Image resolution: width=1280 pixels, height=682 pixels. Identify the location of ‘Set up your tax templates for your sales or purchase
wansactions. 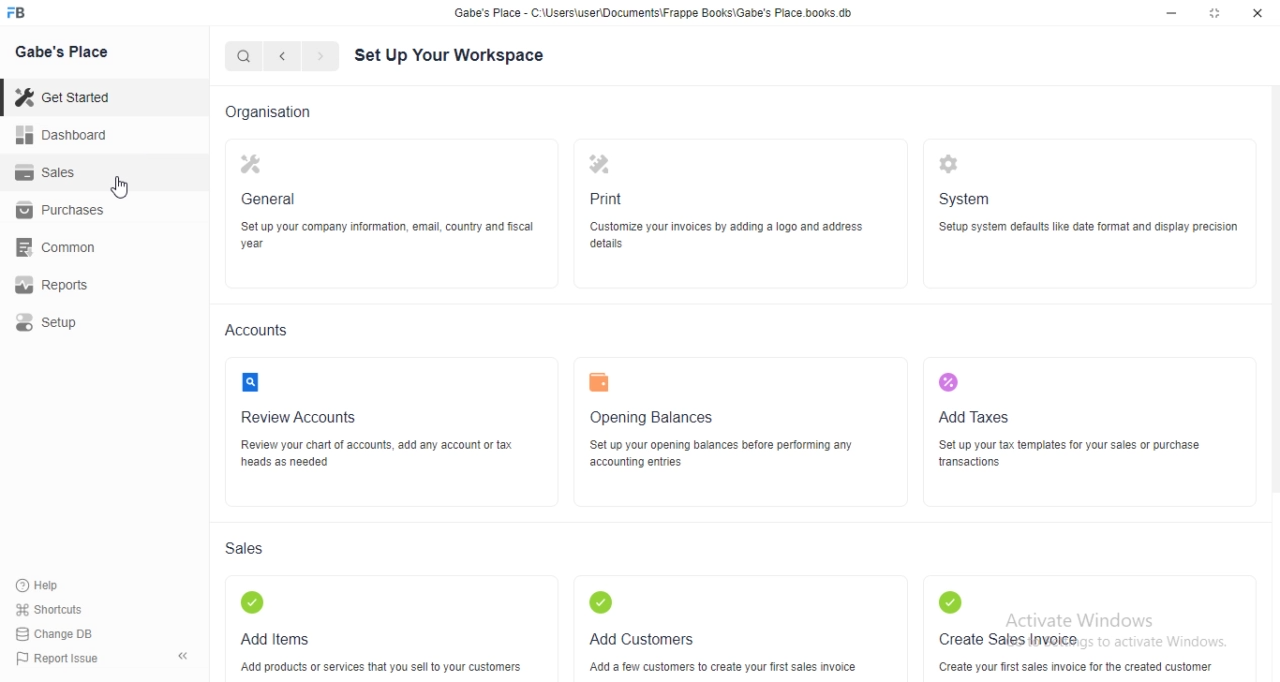
(1077, 462).